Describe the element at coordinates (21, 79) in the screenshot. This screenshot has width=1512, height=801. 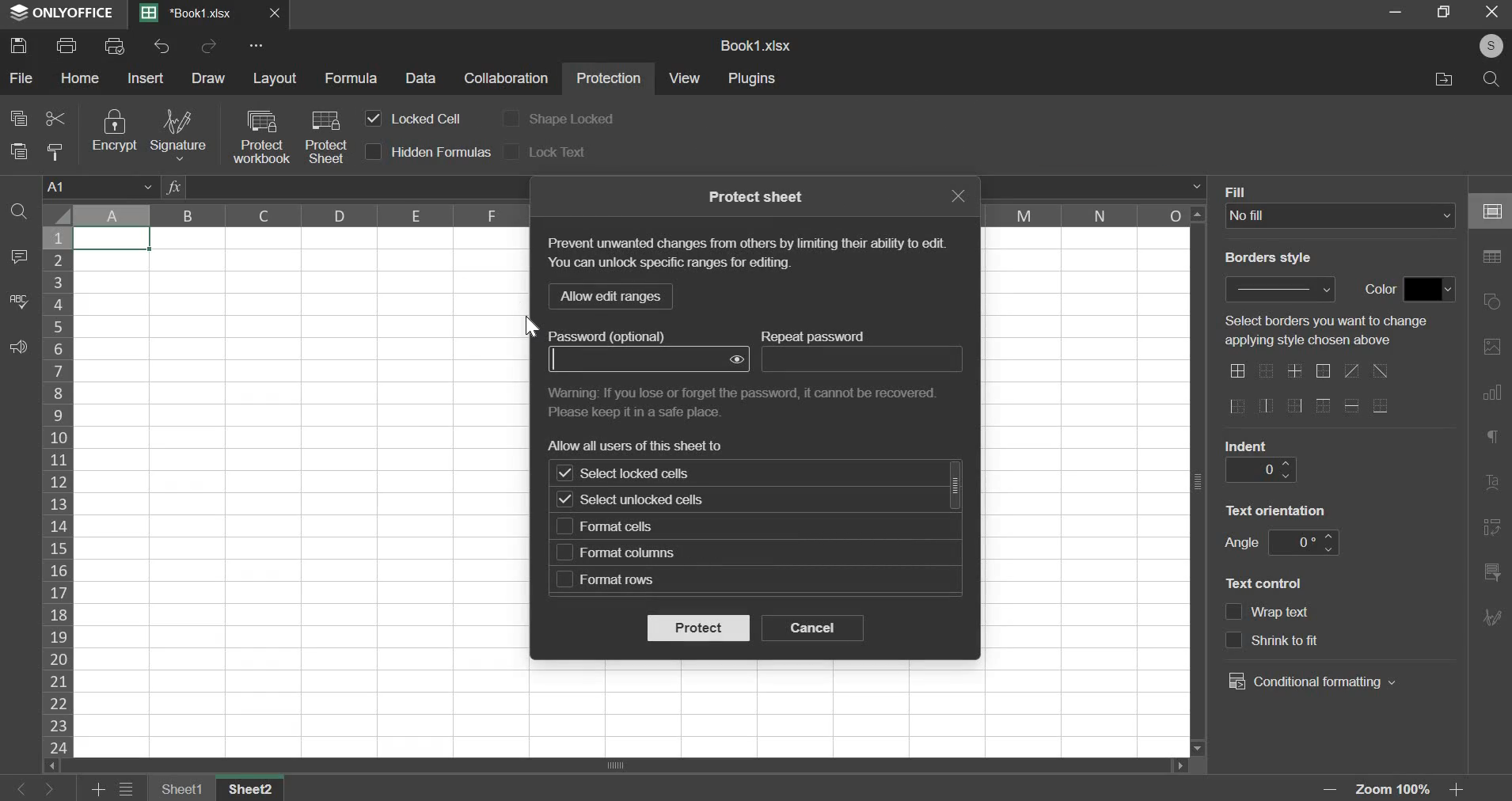
I see `file` at that location.